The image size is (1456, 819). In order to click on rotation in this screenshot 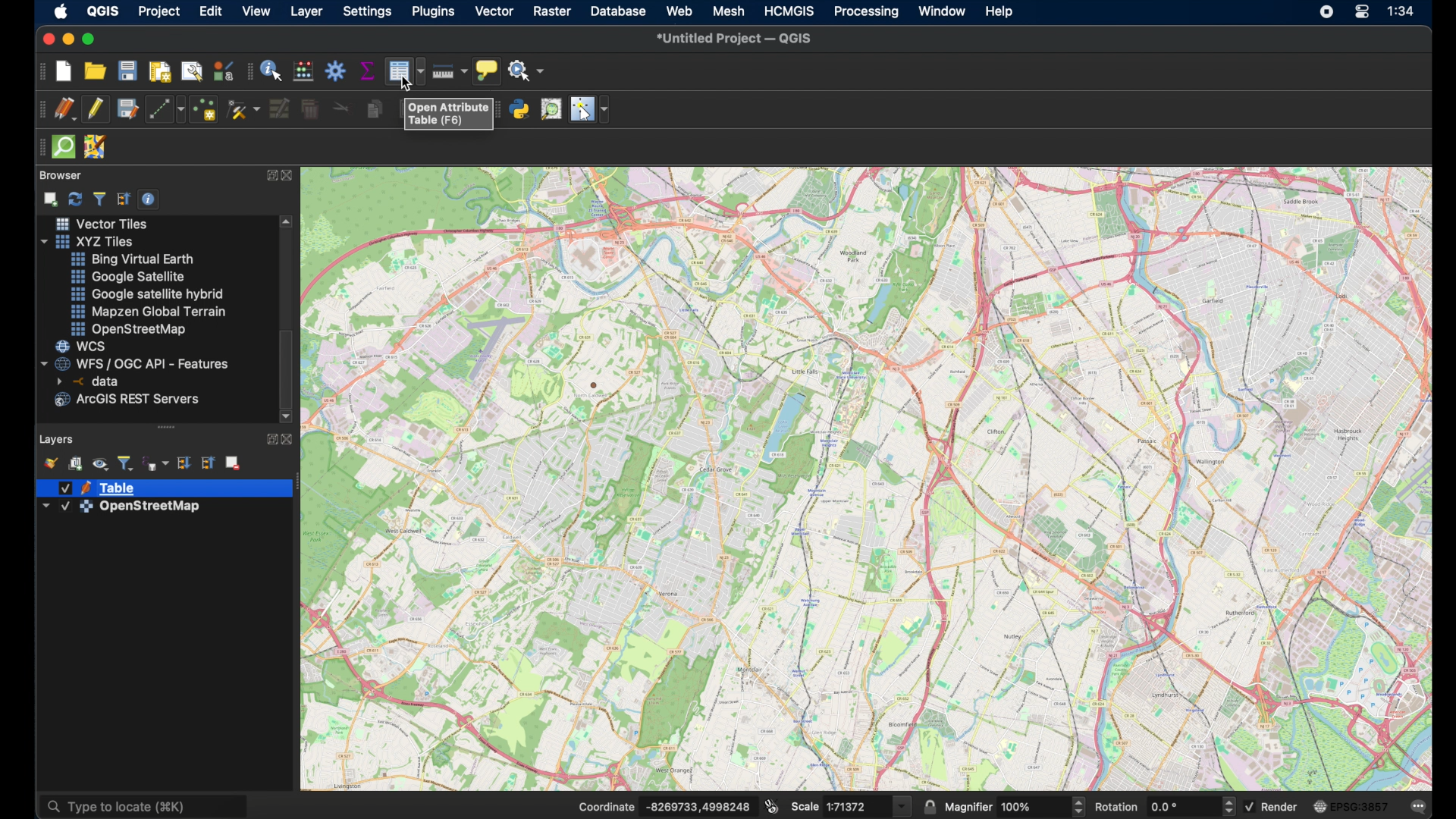, I will do `click(1117, 806)`.